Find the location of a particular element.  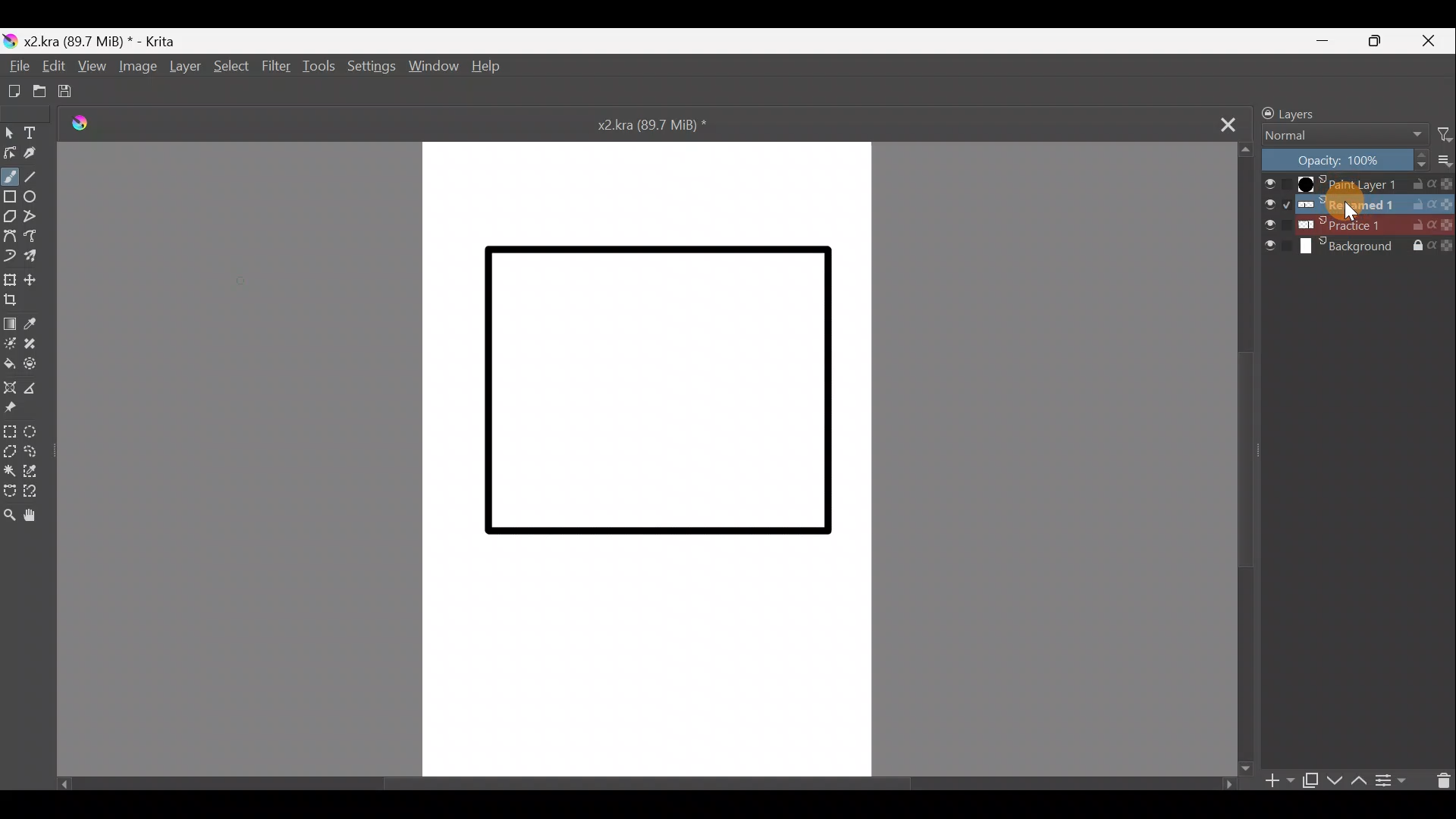

Similar colour selection tool is located at coordinates (39, 470).